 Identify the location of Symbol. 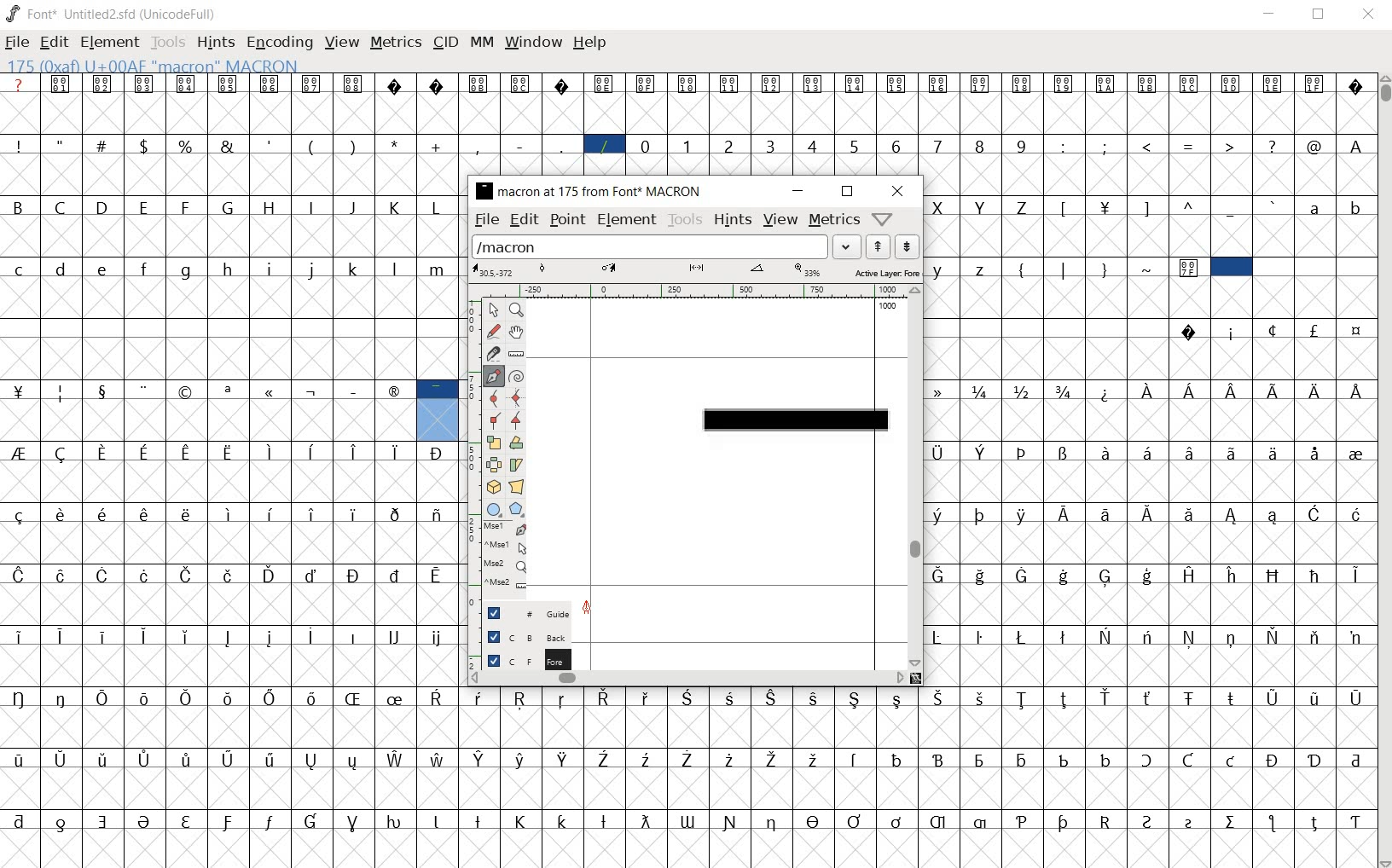
(187, 84).